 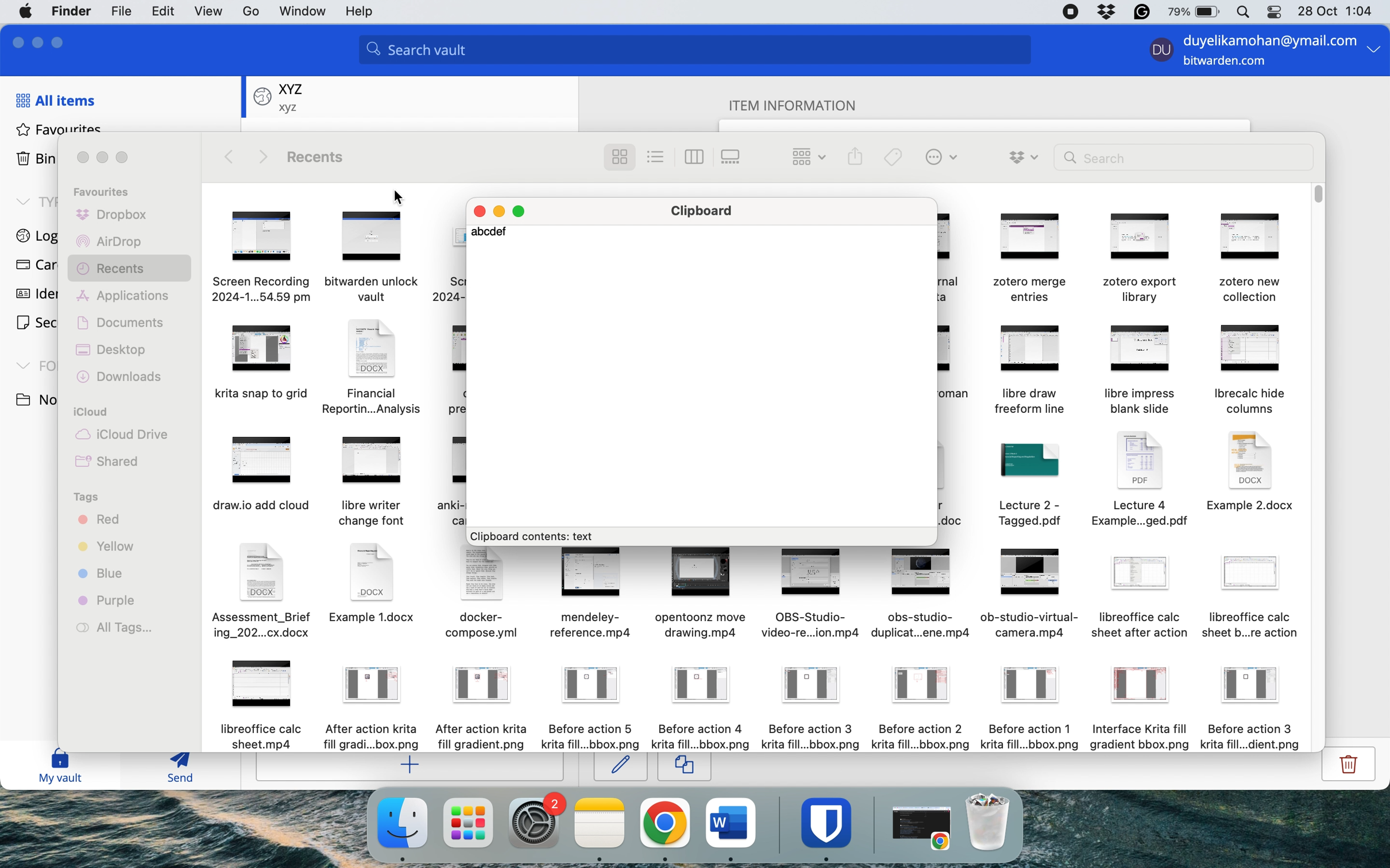 I want to click on account, so click(x=249, y=11).